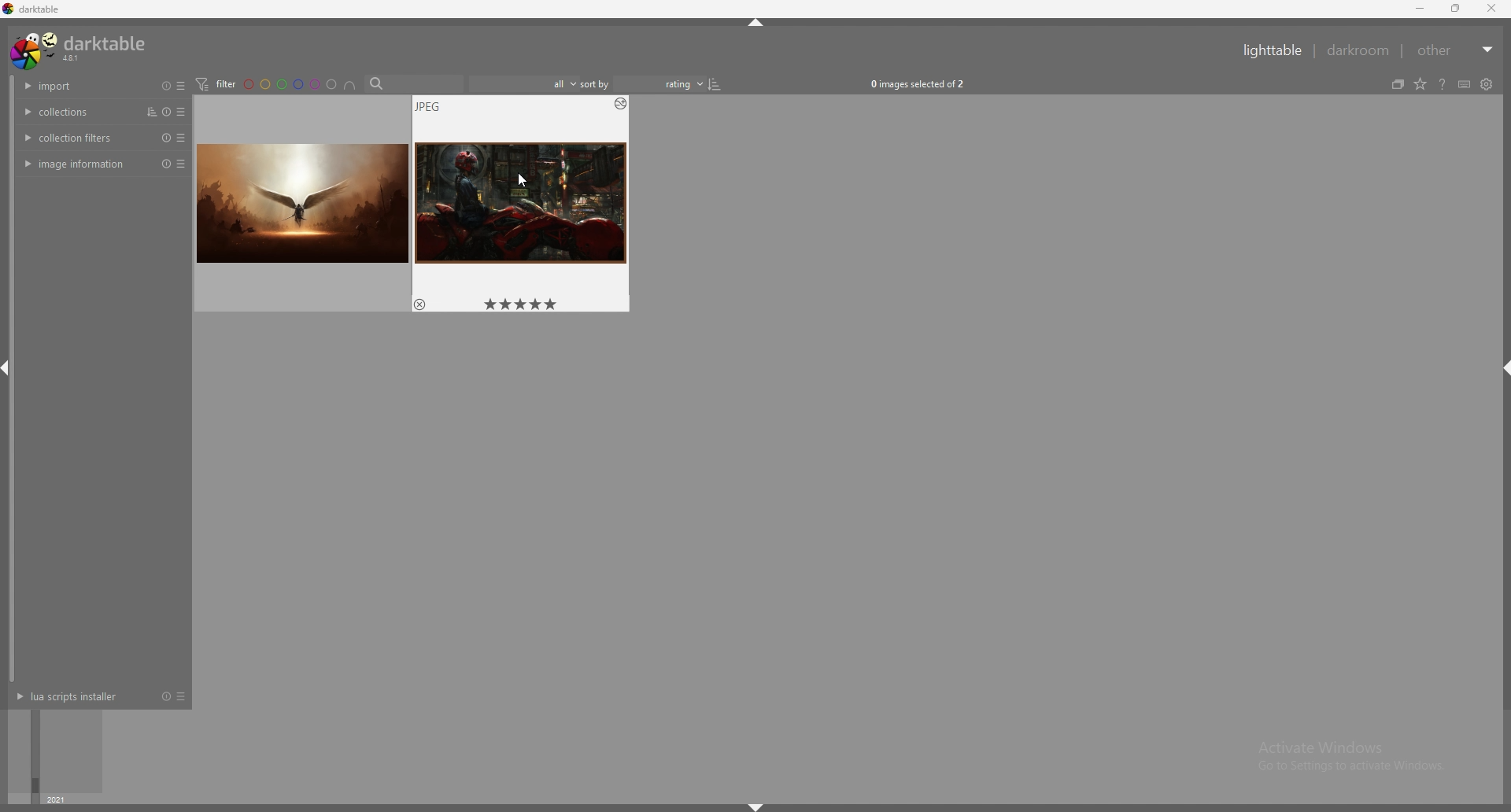  What do you see at coordinates (183, 138) in the screenshot?
I see `presets` at bounding box center [183, 138].